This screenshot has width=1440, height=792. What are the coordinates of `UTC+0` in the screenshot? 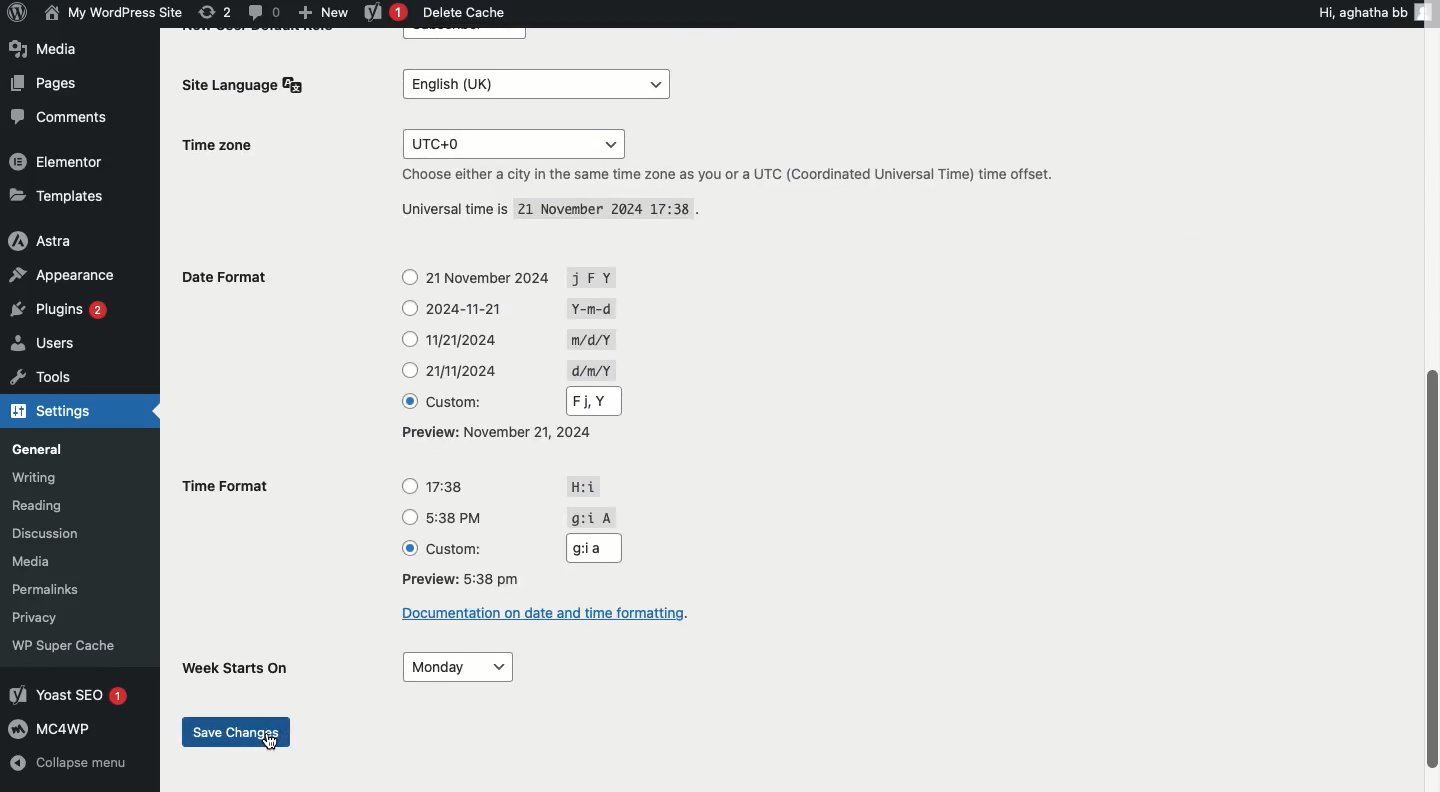 It's located at (506, 139).